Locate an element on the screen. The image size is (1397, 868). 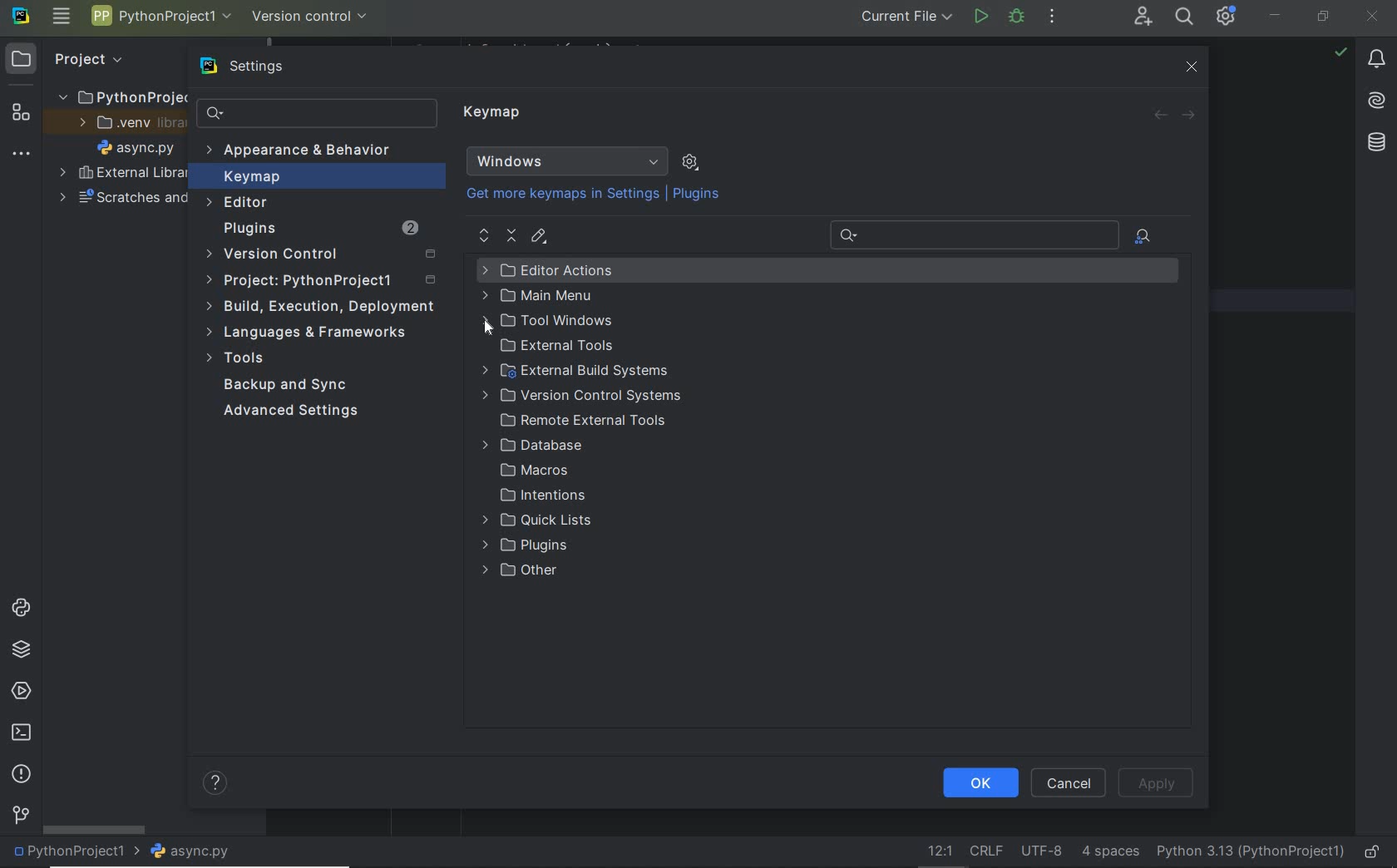
PythonProject is located at coordinates (122, 96).